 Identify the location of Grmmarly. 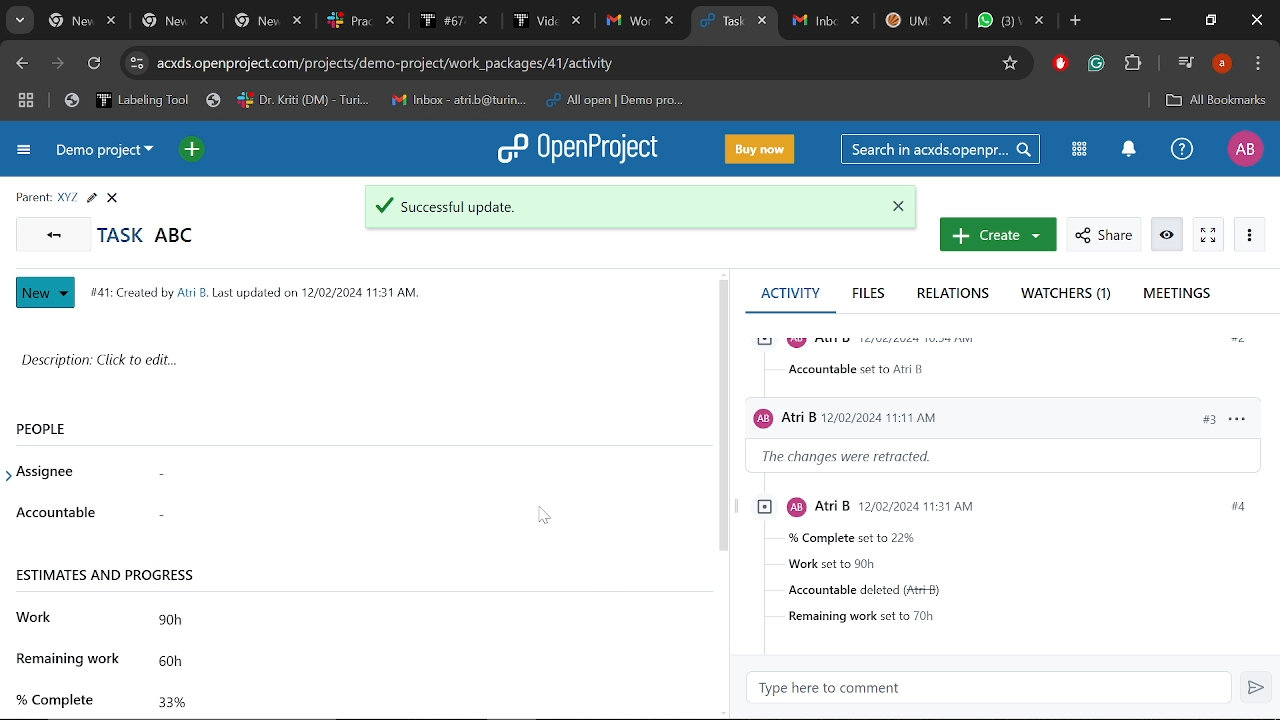
(1098, 66).